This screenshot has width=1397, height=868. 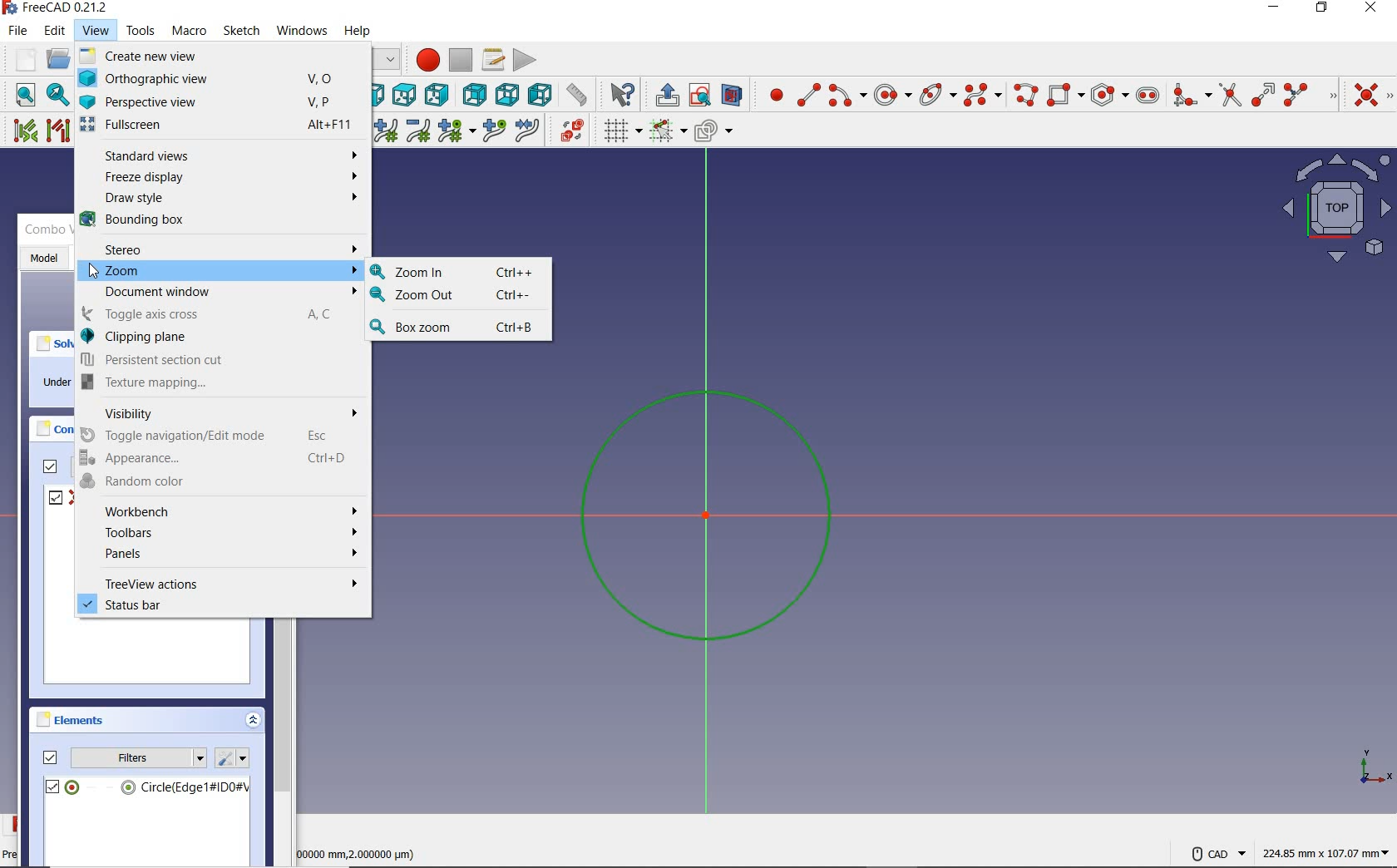 What do you see at coordinates (223, 413) in the screenshot?
I see `Visibility` at bounding box center [223, 413].